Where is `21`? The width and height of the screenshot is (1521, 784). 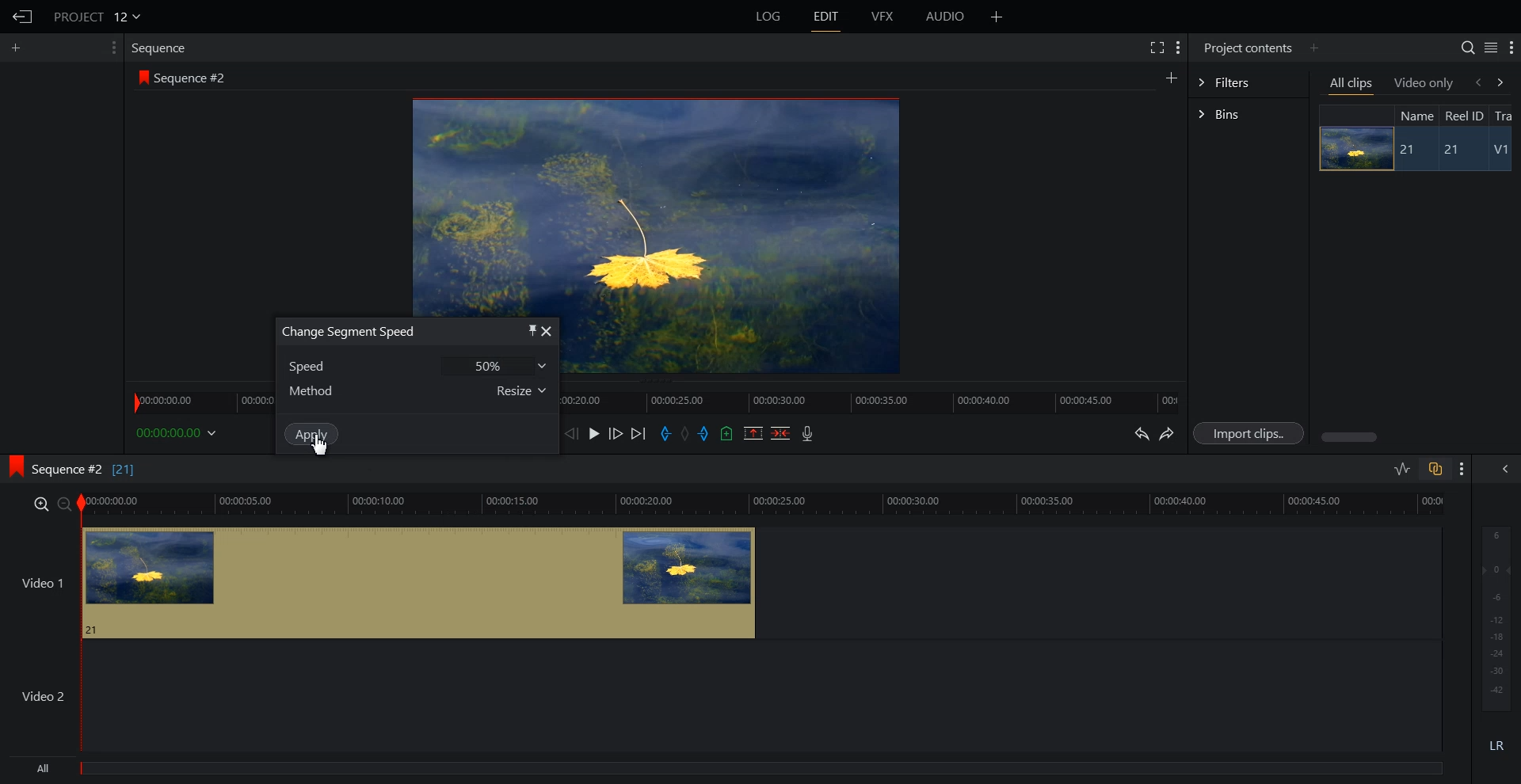 21 is located at coordinates (1458, 150).